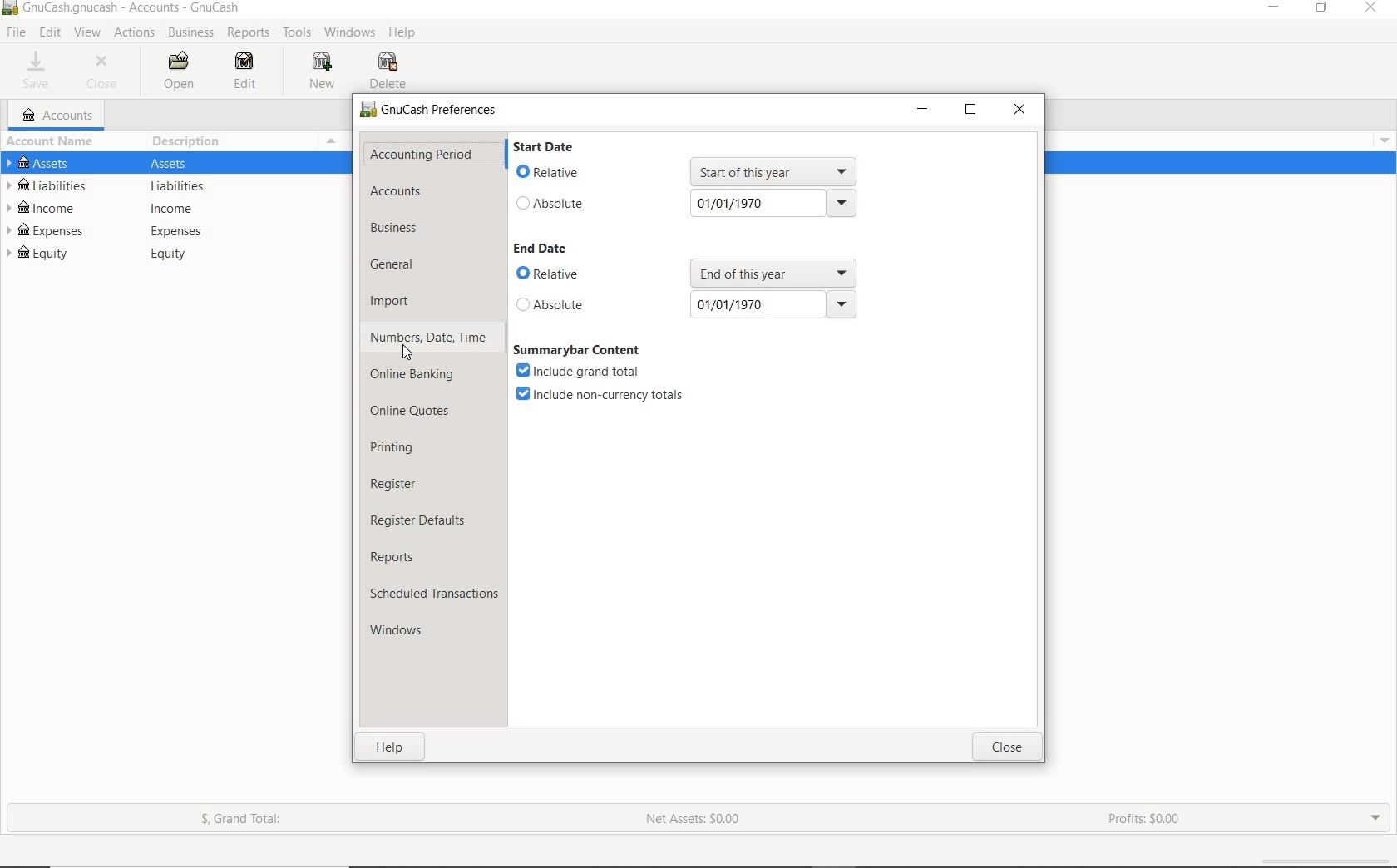  Describe the element at coordinates (546, 145) in the screenshot. I see `start date` at that location.